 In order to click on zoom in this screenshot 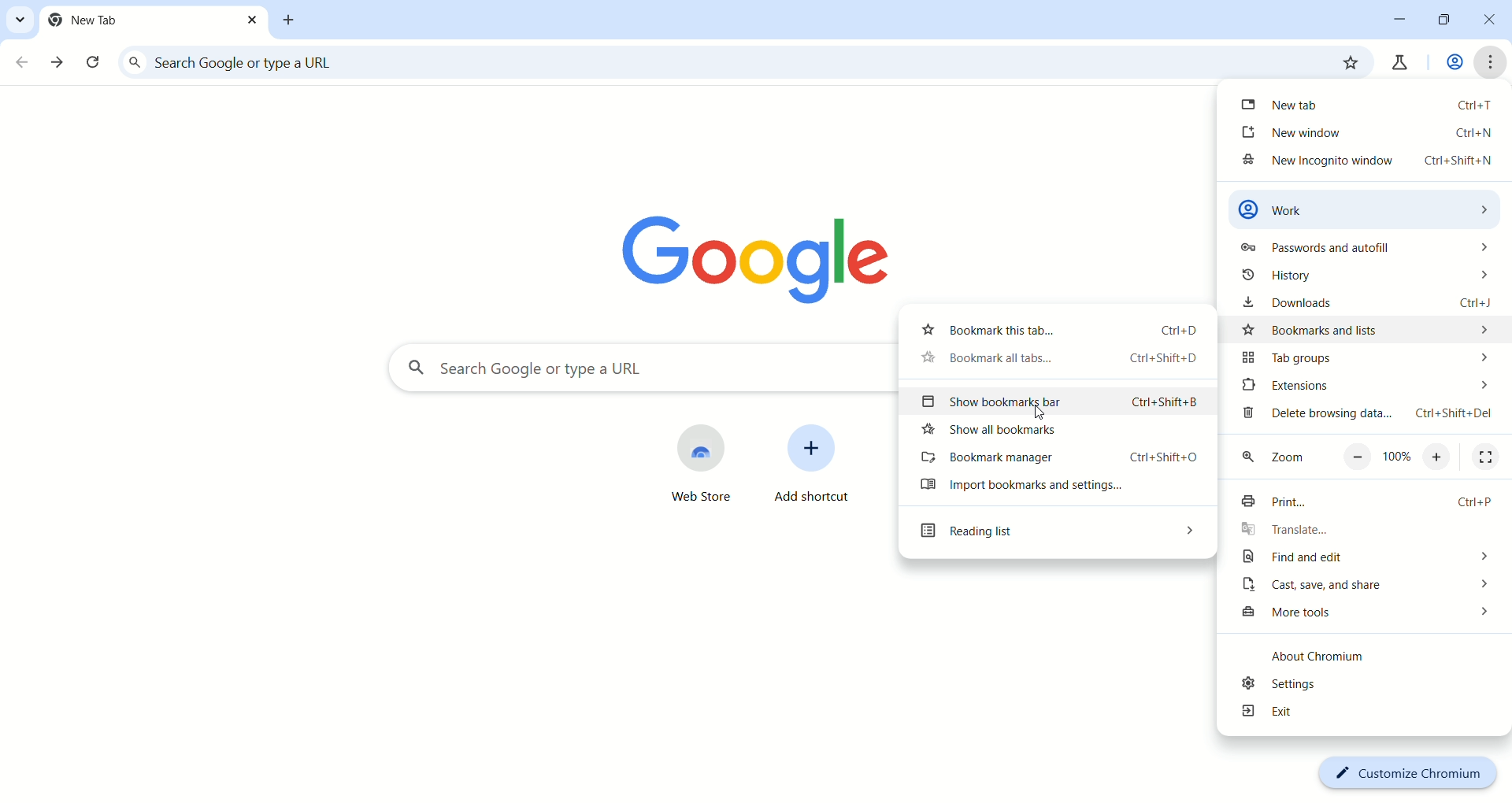, I will do `click(1369, 459)`.